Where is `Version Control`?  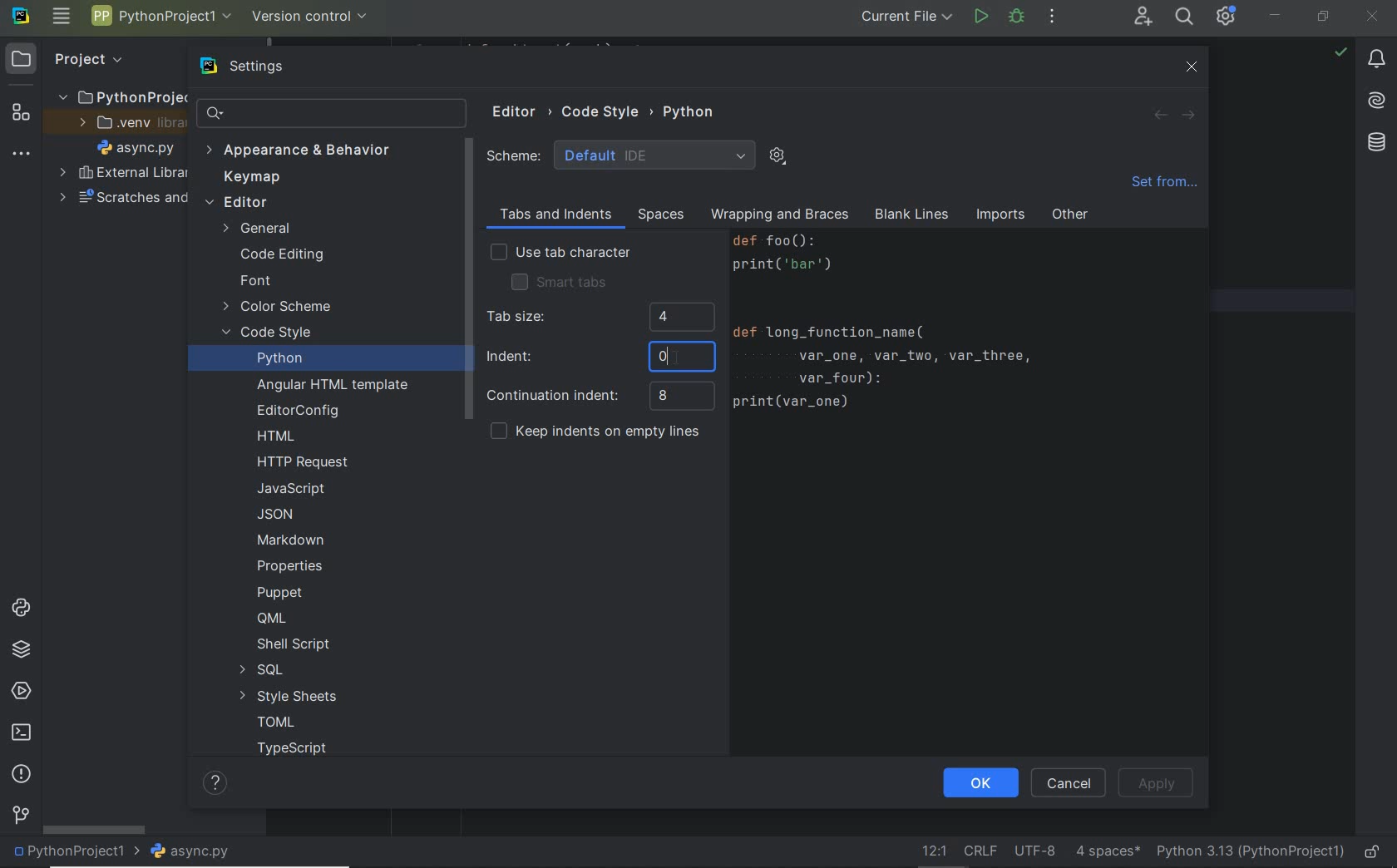
Version Control is located at coordinates (310, 17).